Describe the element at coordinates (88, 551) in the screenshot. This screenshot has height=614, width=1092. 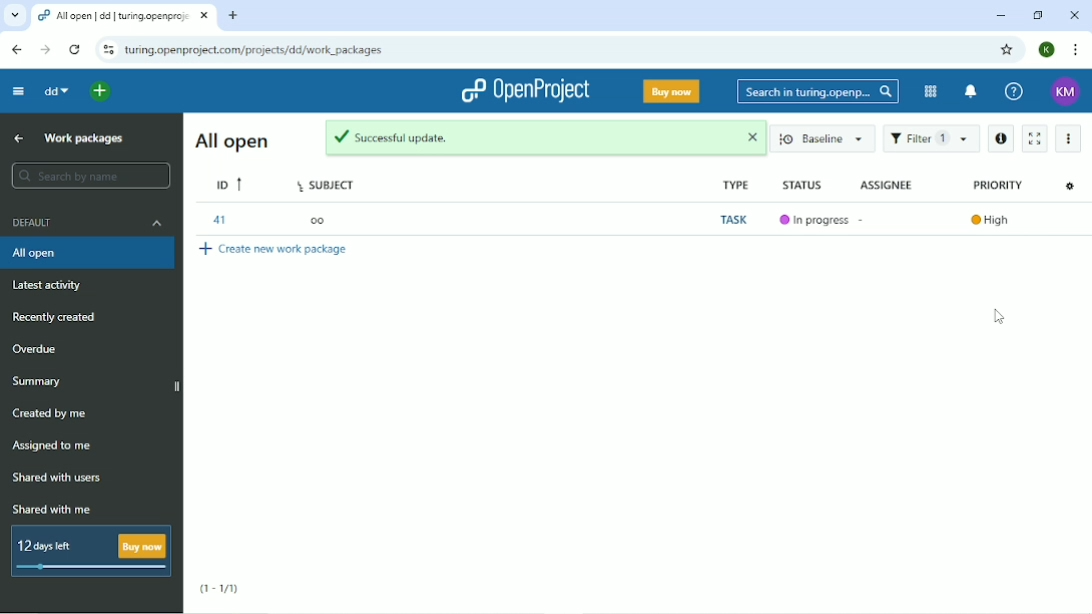
I see `12 days left Buy now` at that location.